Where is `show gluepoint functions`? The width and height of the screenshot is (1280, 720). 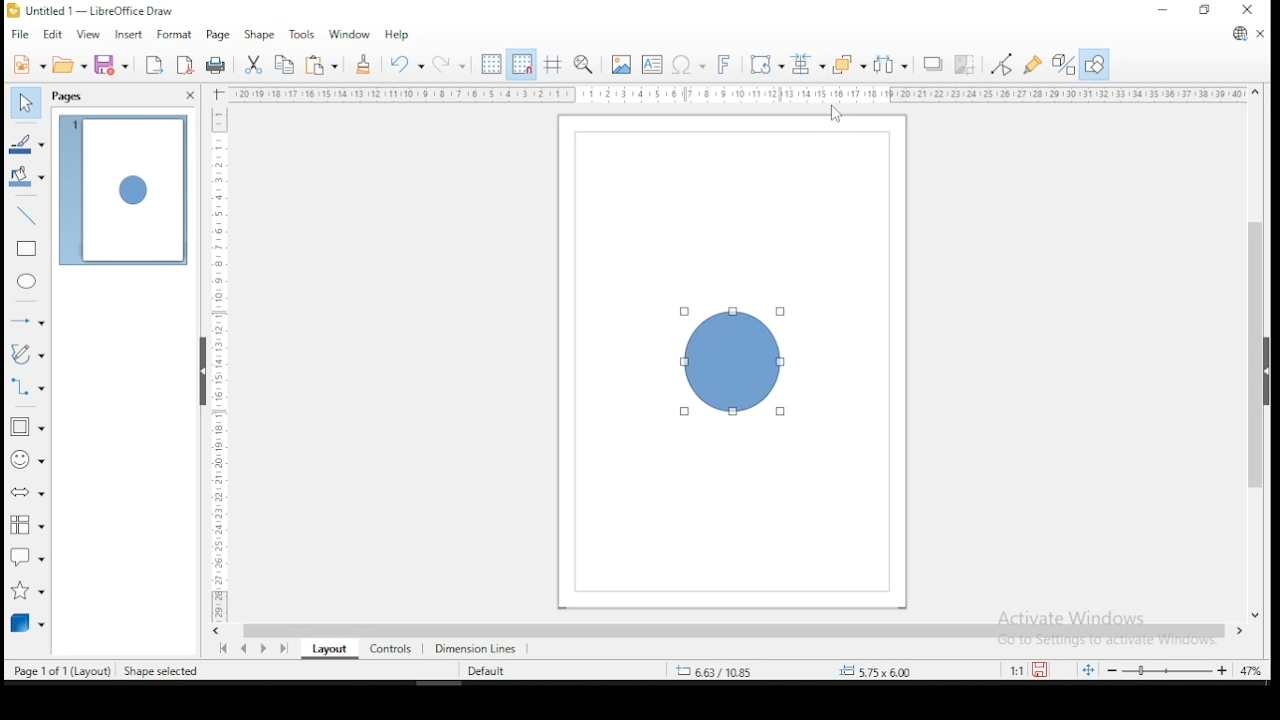
show gluepoint functions is located at coordinates (1033, 66).